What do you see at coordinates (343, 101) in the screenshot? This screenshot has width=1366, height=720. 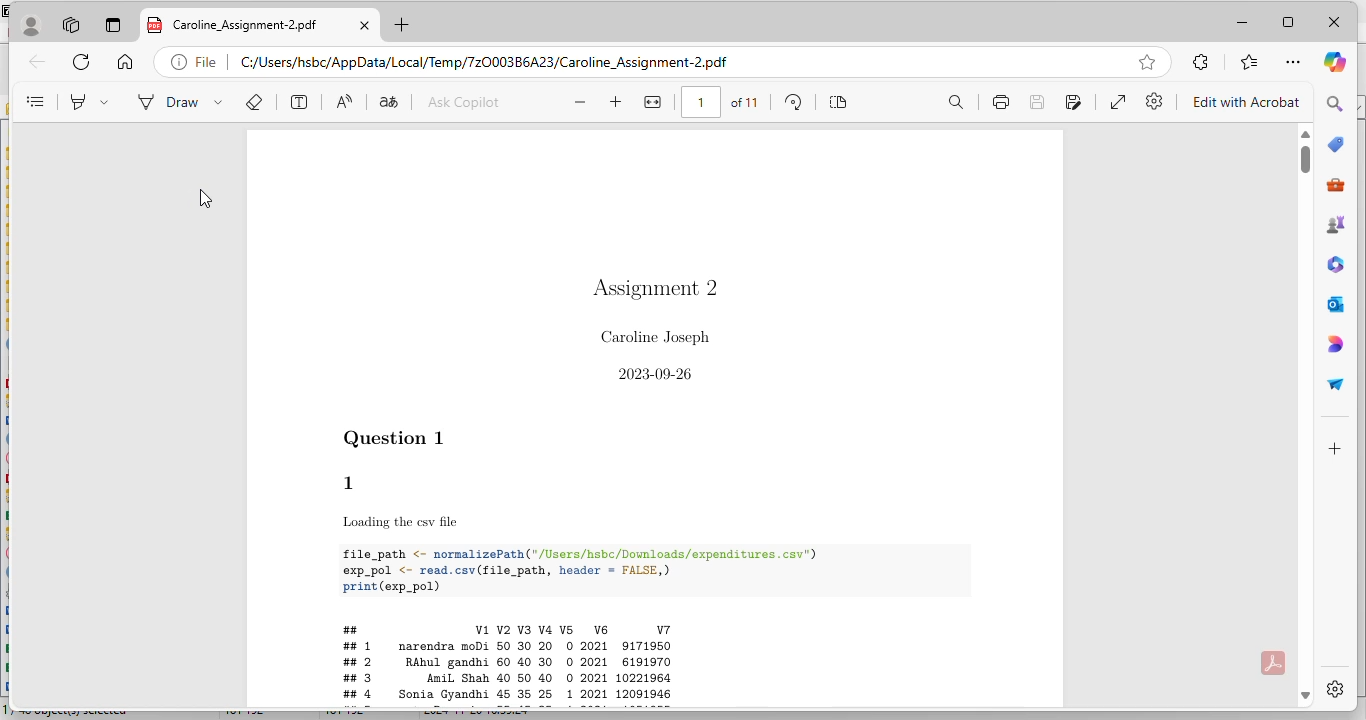 I see `read aloud` at bounding box center [343, 101].